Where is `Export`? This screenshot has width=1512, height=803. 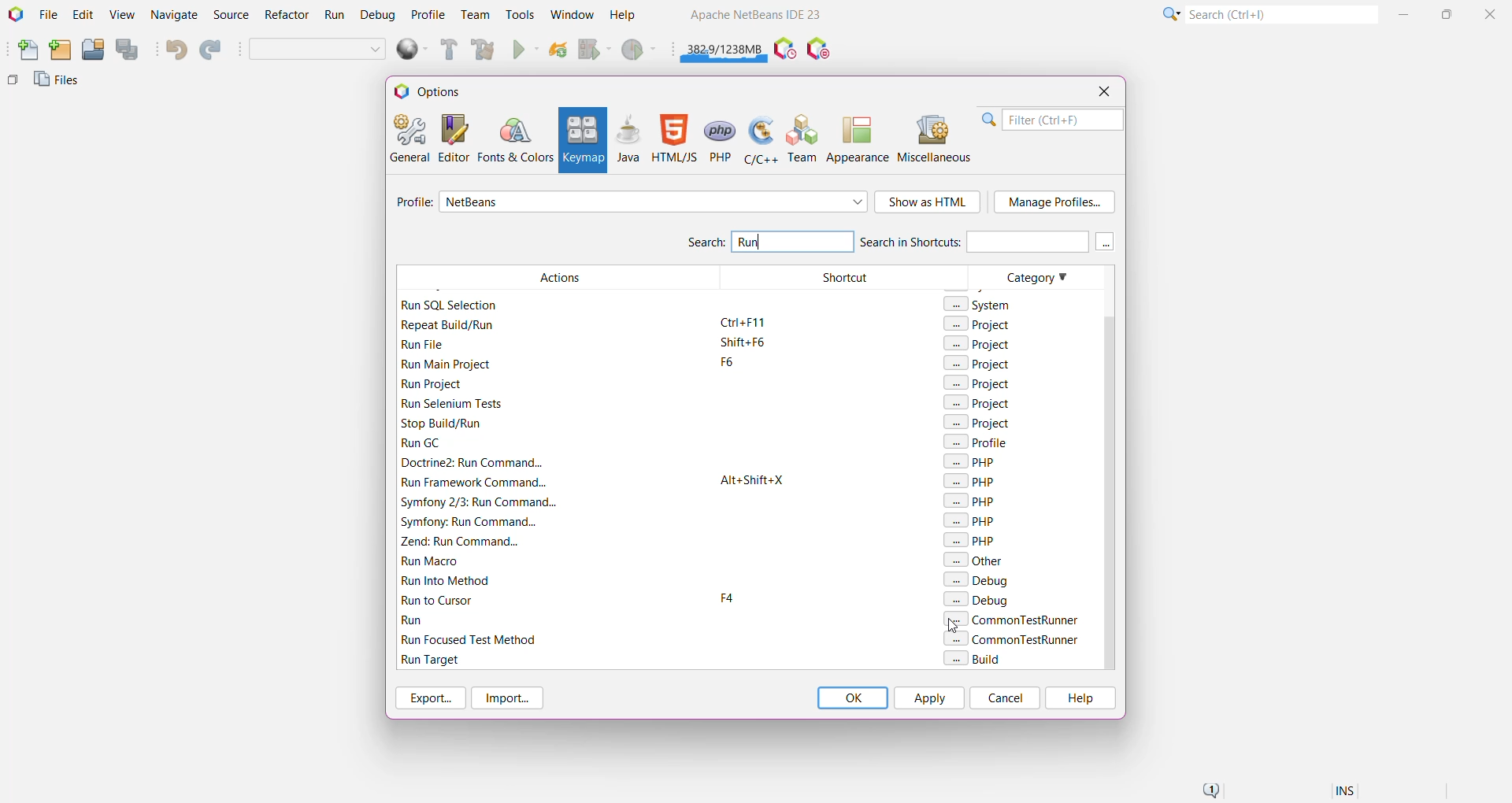
Export is located at coordinates (428, 698).